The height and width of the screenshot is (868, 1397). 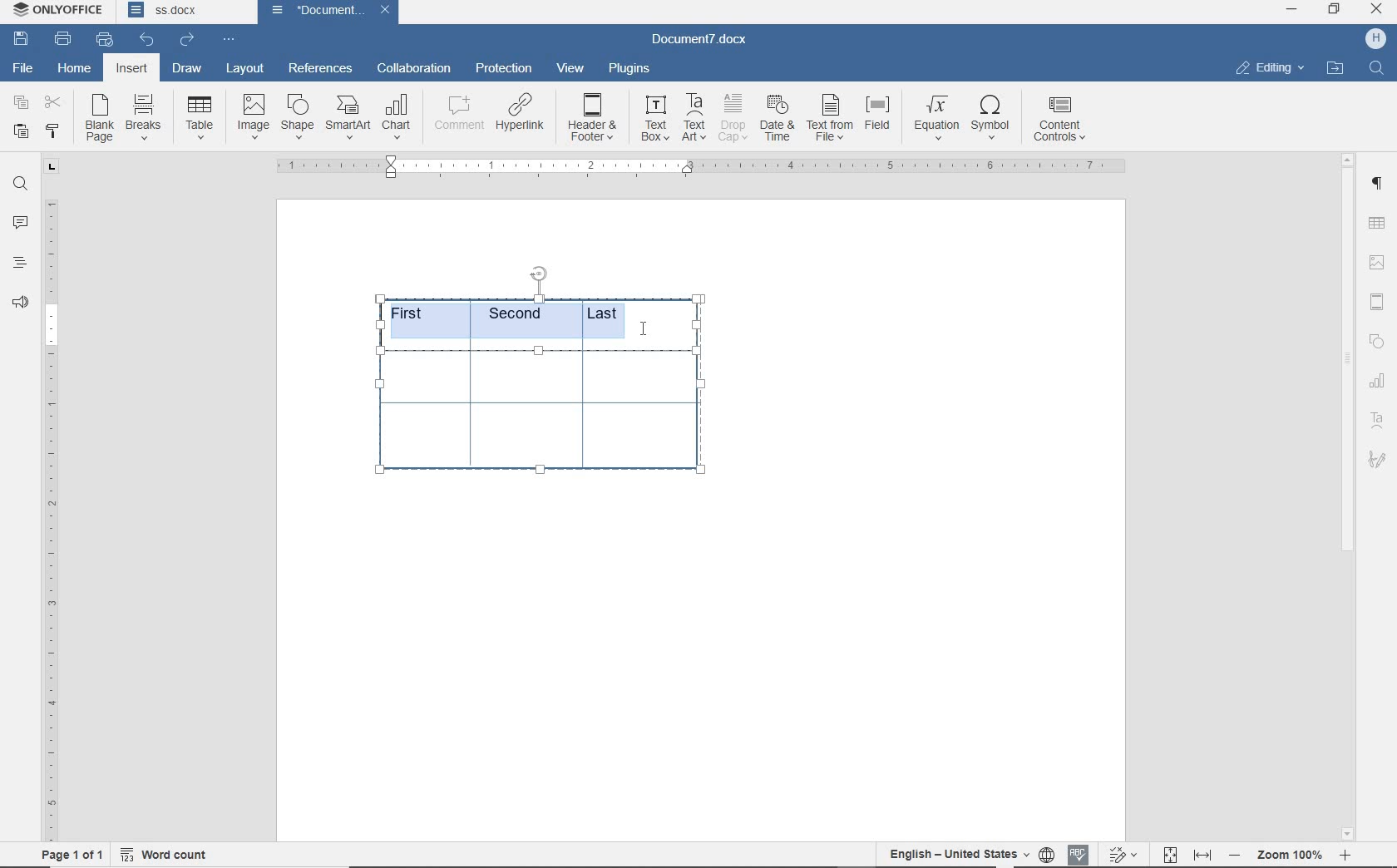 What do you see at coordinates (1374, 38) in the screenshot?
I see `HP` at bounding box center [1374, 38].